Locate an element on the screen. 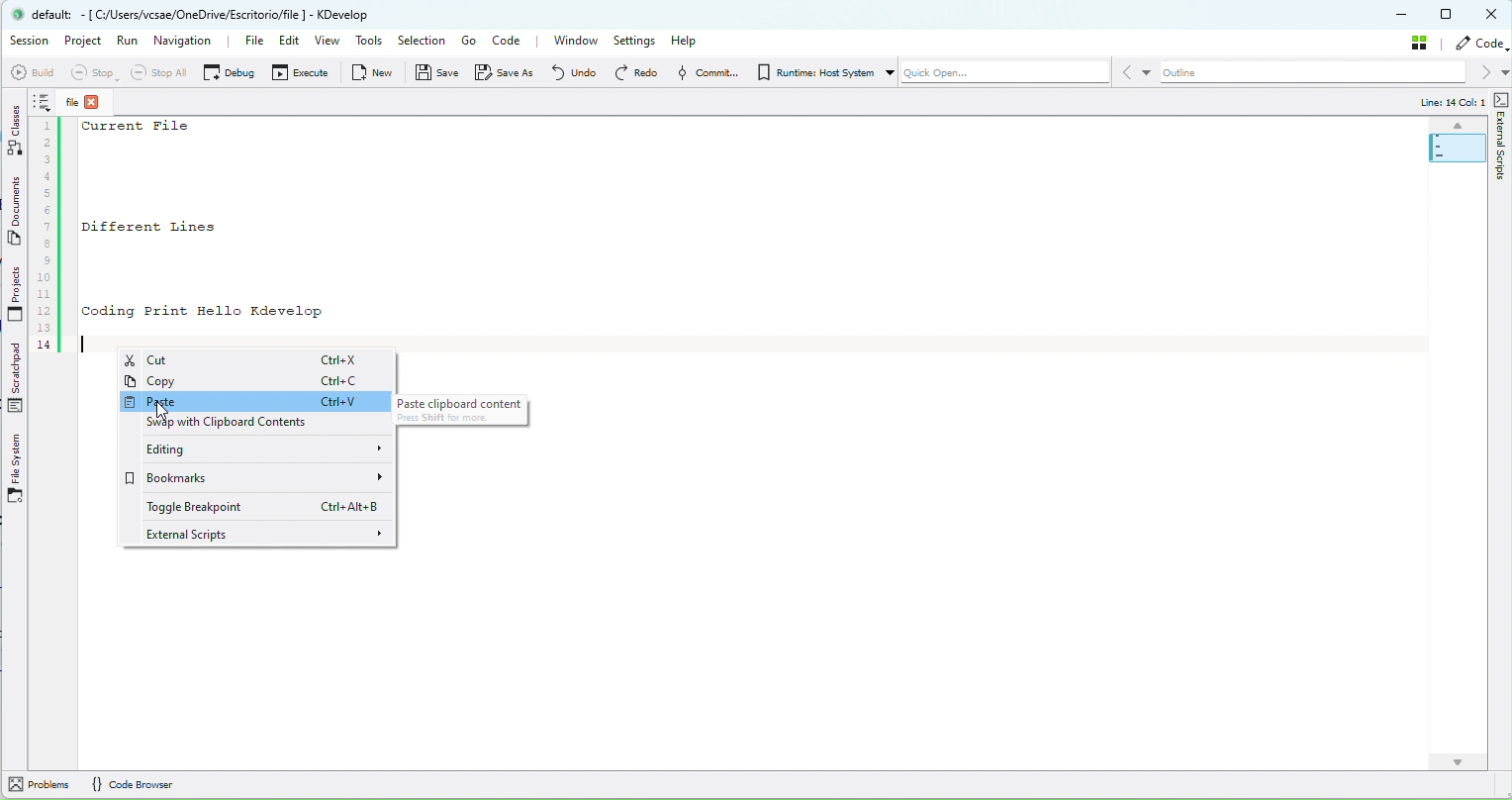 The width and height of the screenshot is (1512, 800). Code Browser (Information) is located at coordinates (142, 784).